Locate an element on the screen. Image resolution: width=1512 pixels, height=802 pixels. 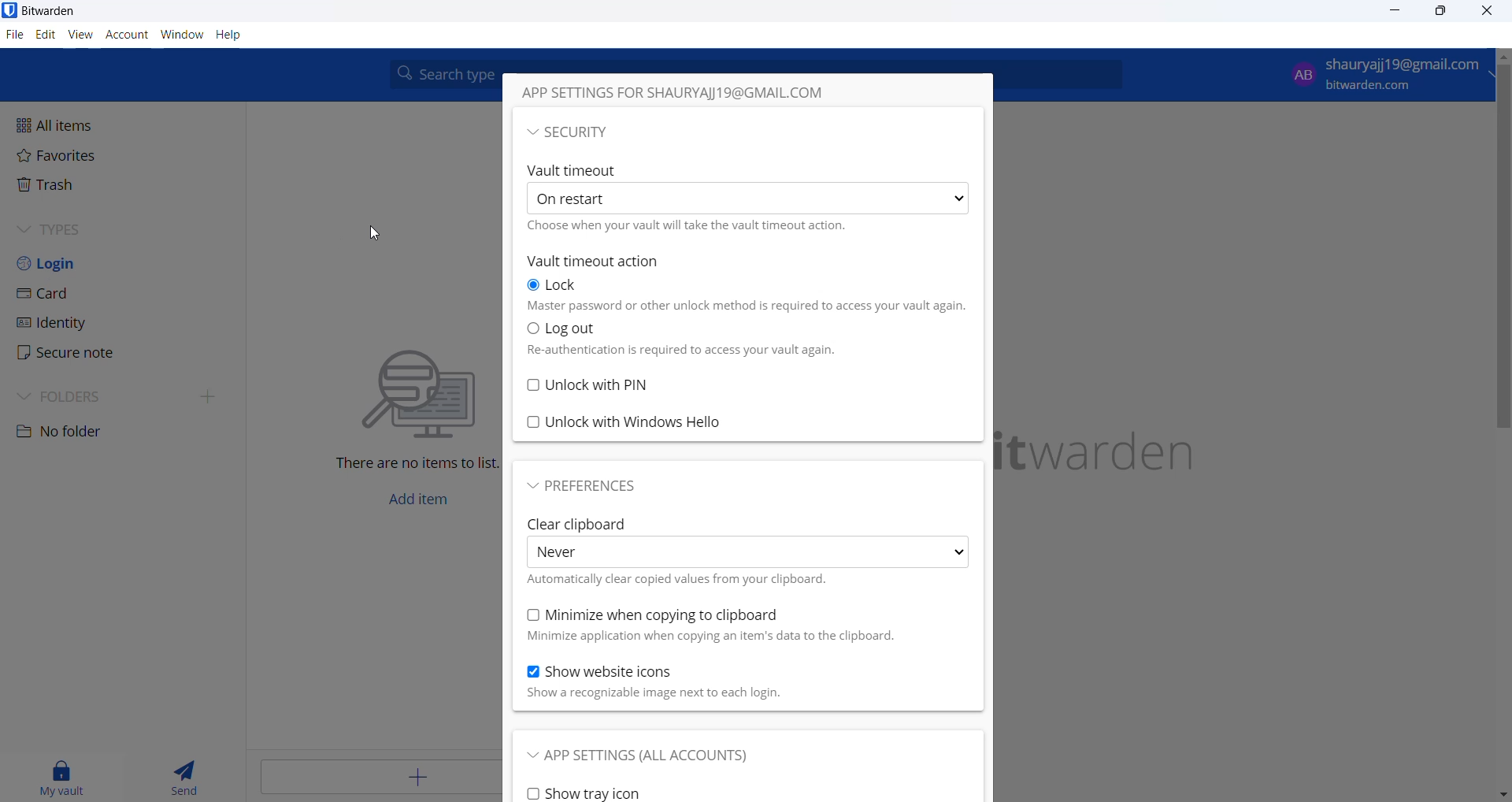
bitwarden is located at coordinates (46, 11).